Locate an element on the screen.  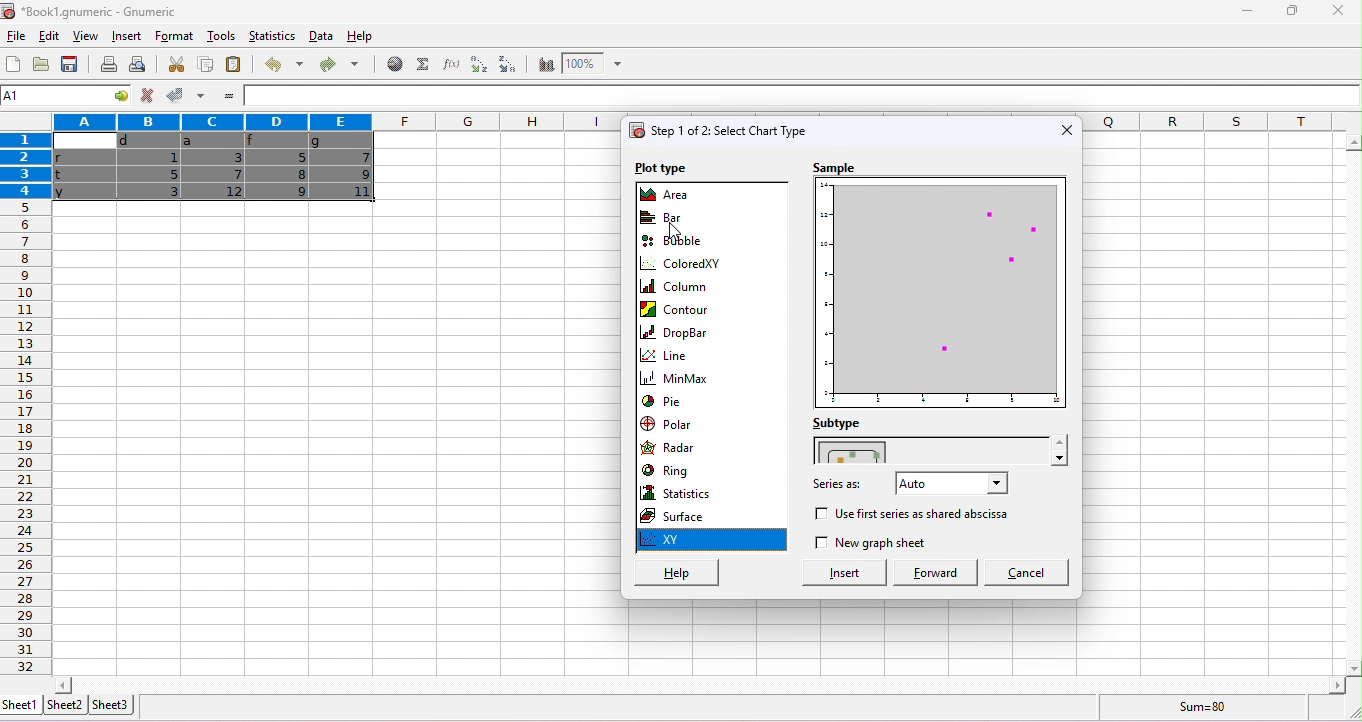
sheet3 is located at coordinates (113, 704).